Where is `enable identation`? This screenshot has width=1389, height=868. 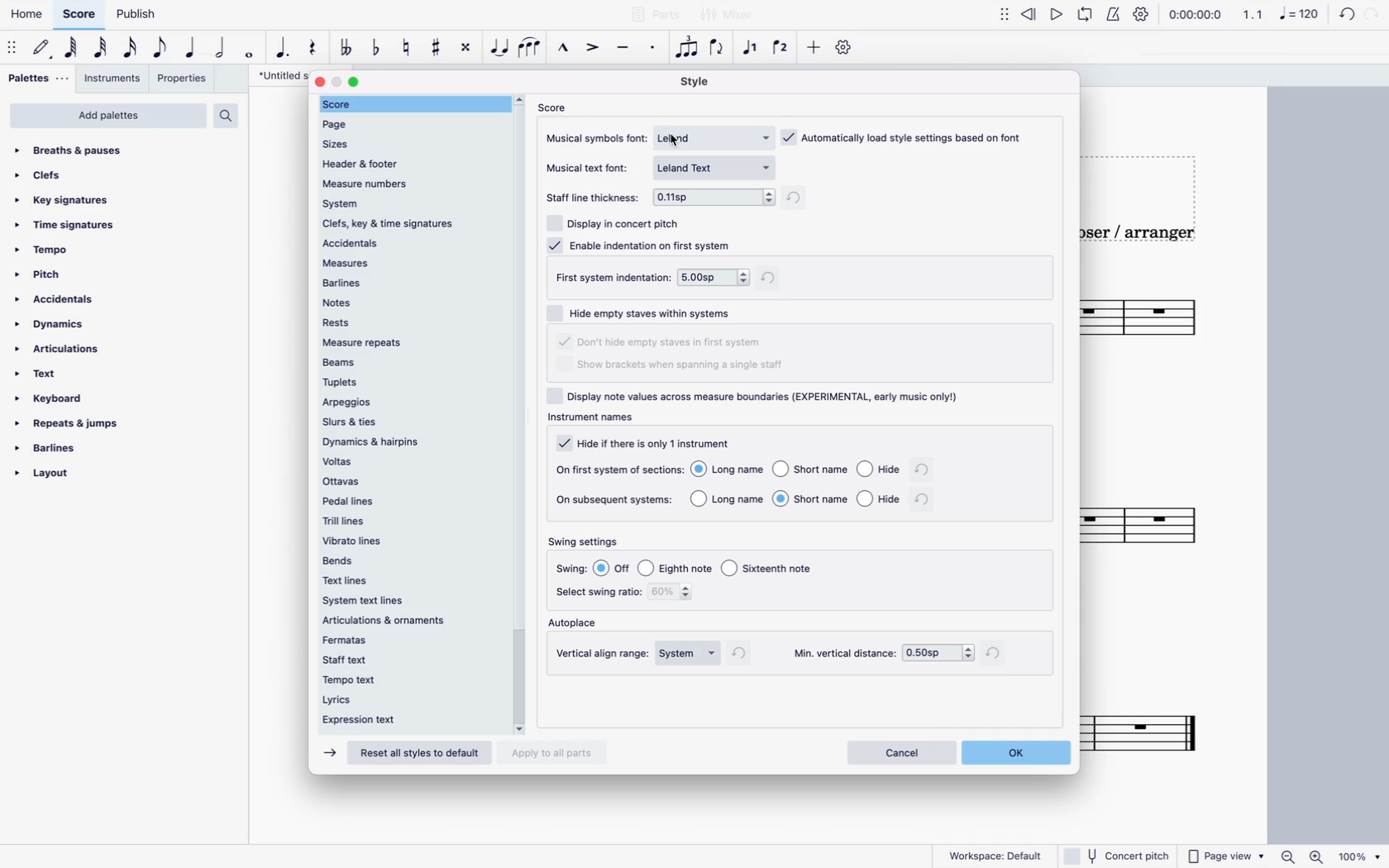 enable identation is located at coordinates (641, 245).